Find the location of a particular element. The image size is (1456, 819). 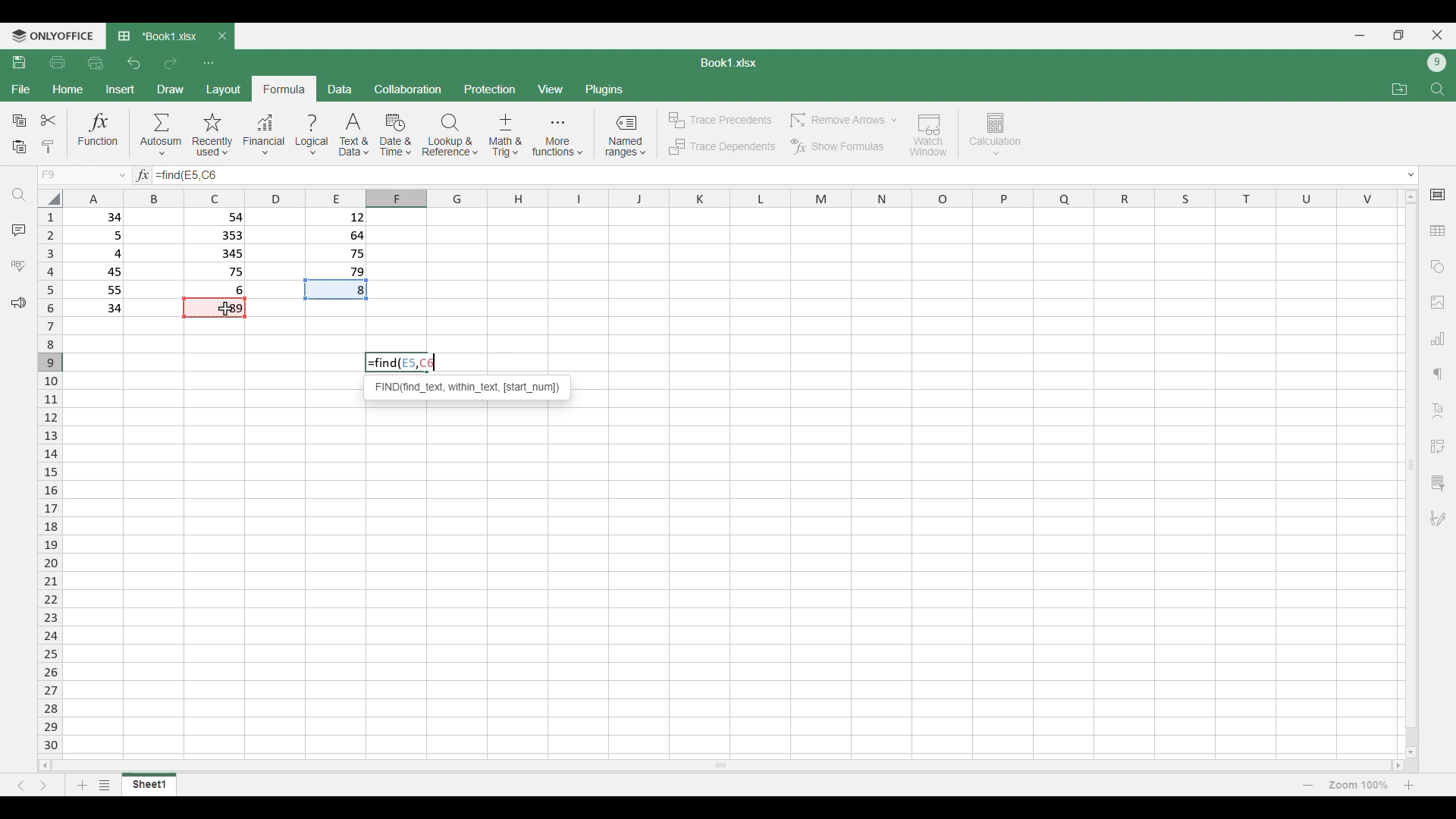

Filled cells is located at coordinates (218, 252).